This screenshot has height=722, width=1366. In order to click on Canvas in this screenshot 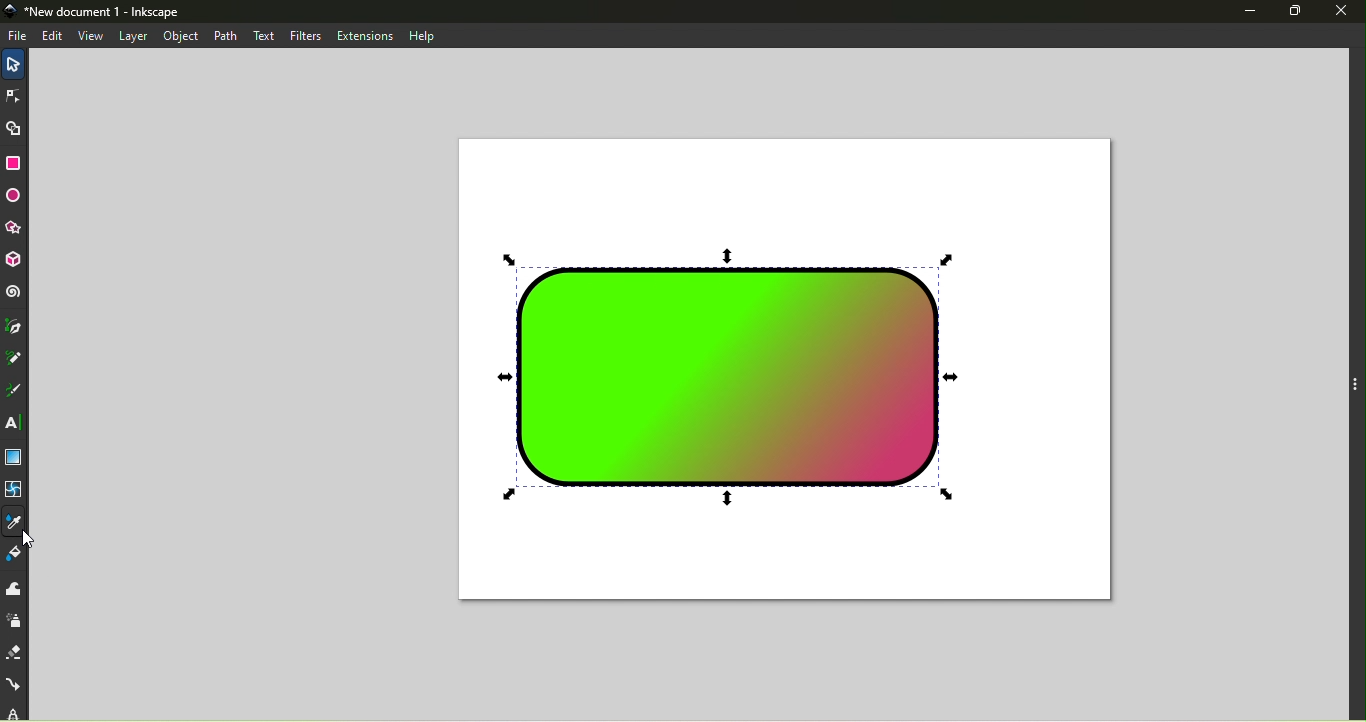, I will do `click(783, 371)`.